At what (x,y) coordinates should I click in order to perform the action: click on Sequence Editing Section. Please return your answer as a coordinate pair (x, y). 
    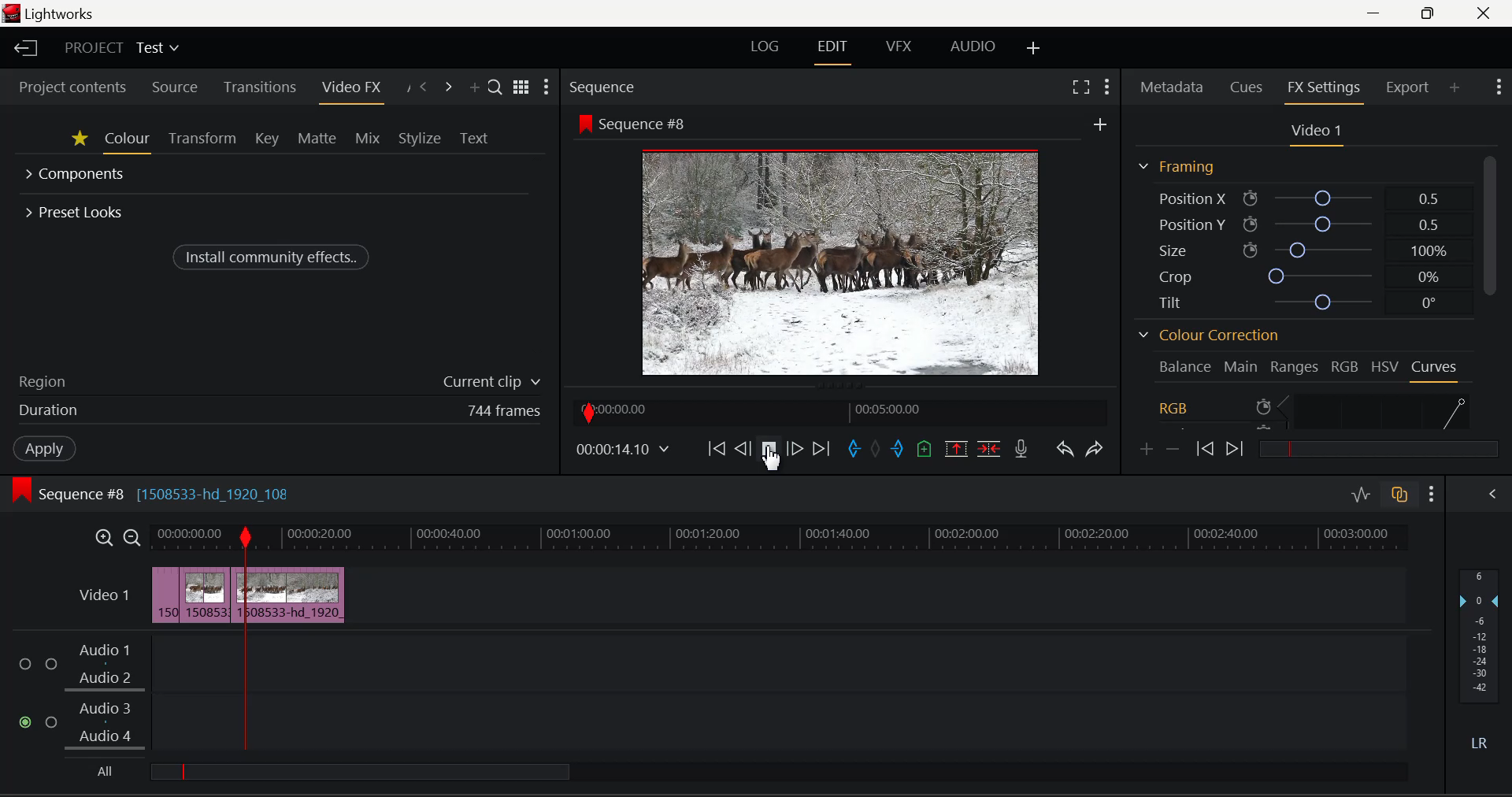
    Looking at the image, I should click on (154, 494).